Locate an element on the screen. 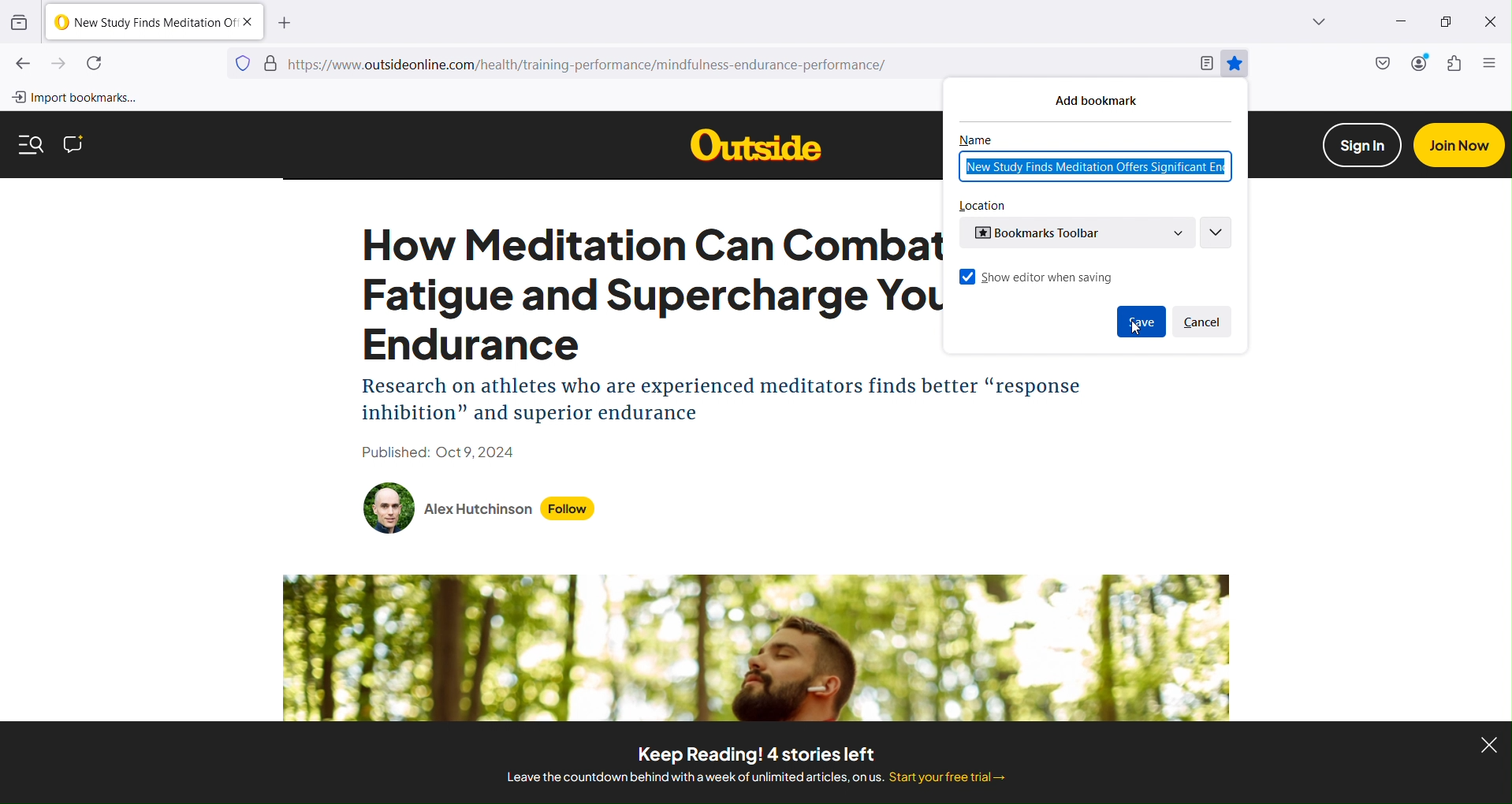  Webpage Content is located at coordinates (650, 345).